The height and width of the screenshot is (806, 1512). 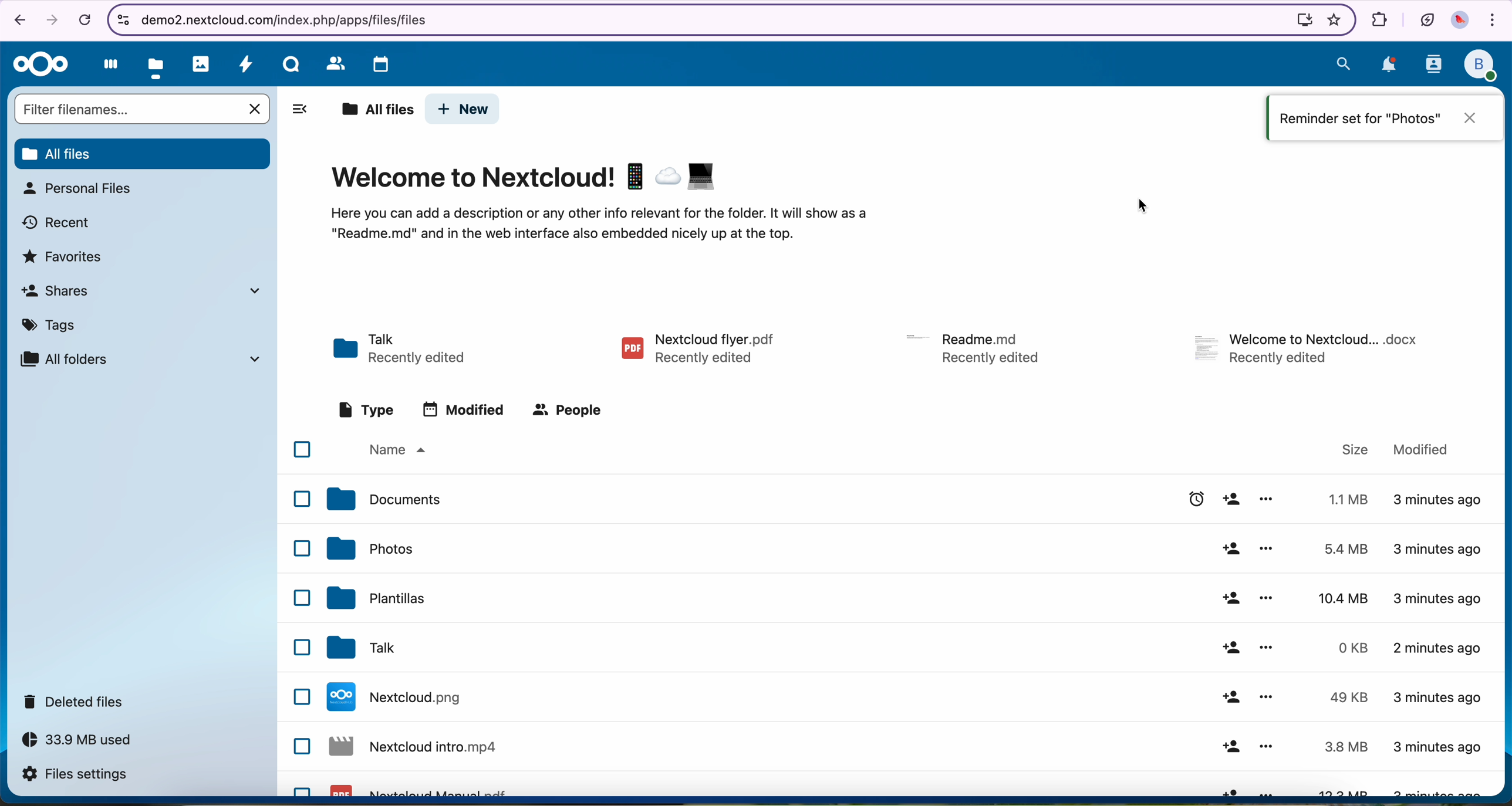 What do you see at coordinates (1440, 597) in the screenshot?
I see `2 minutes ago` at bounding box center [1440, 597].